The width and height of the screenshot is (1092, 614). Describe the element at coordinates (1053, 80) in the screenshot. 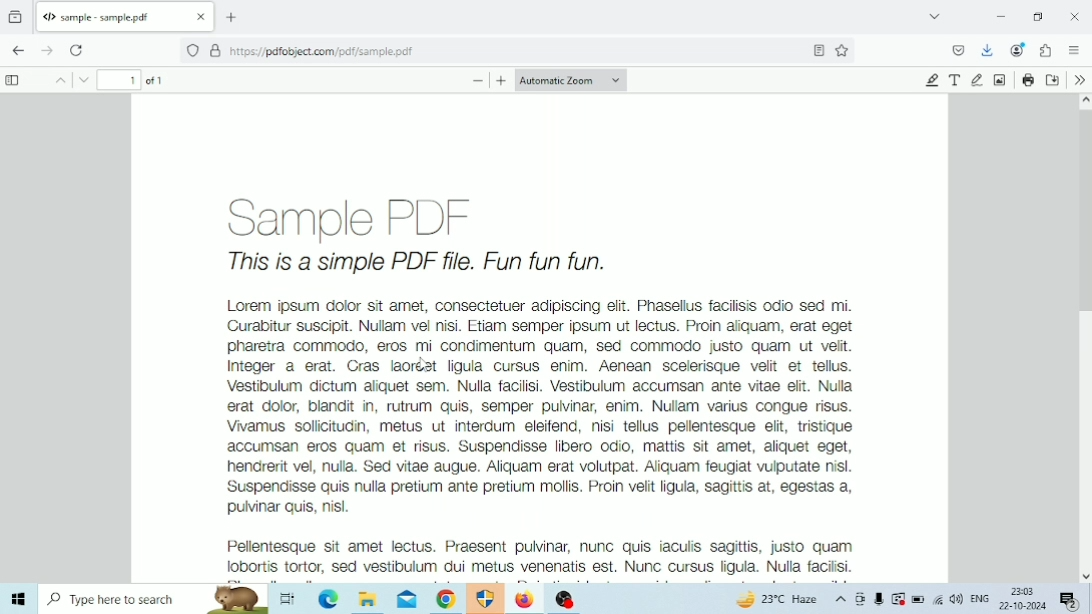

I see `Save` at that location.